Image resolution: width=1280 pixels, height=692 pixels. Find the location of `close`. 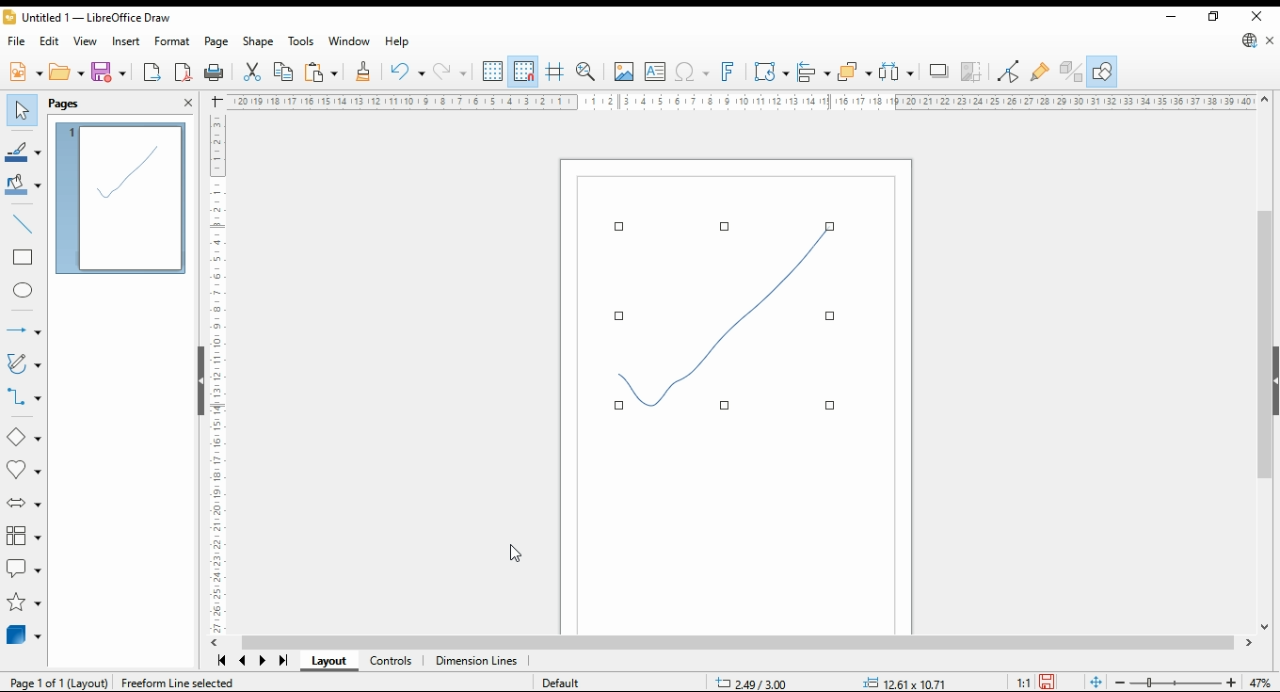

close is located at coordinates (1257, 16).